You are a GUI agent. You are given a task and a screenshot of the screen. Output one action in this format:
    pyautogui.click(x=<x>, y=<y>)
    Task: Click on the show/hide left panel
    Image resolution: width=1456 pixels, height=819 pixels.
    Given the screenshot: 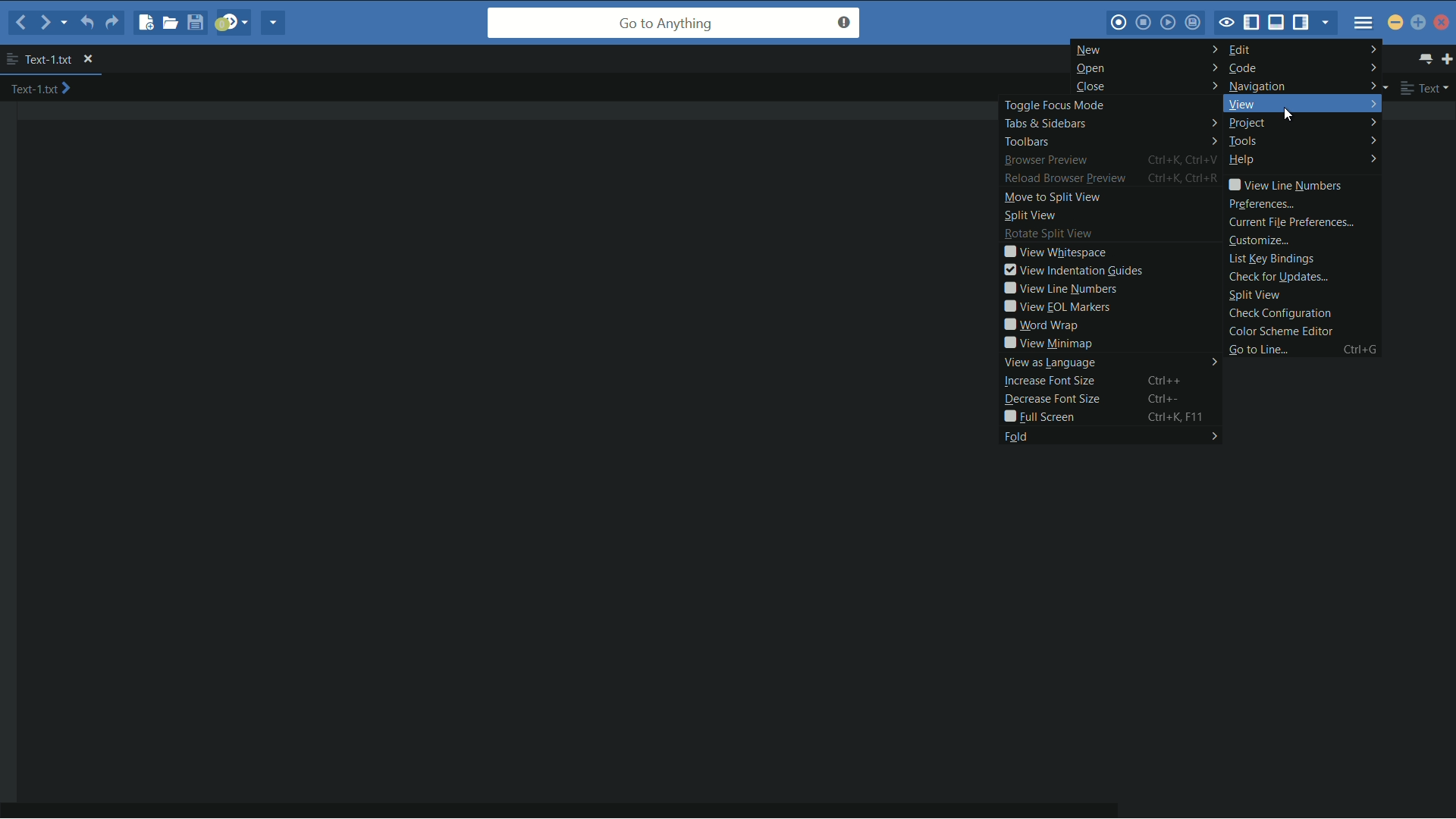 What is the action you would take?
    pyautogui.click(x=1252, y=22)
    